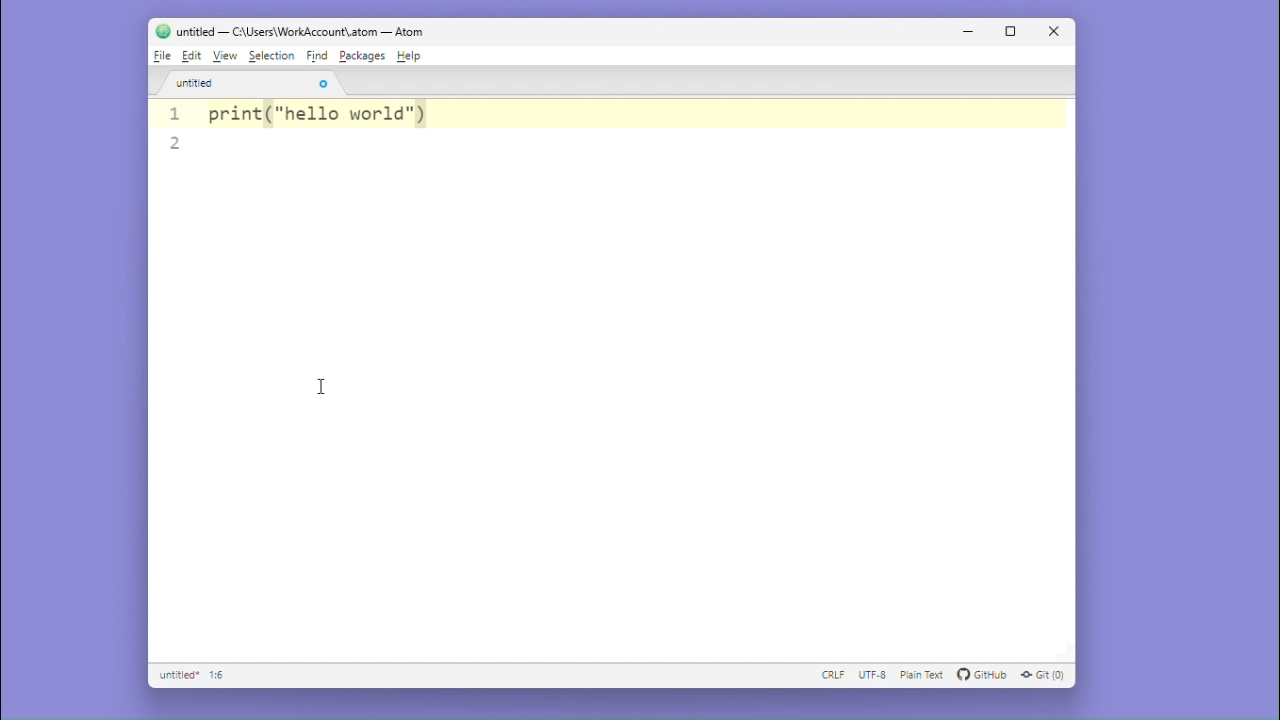  Describe the element at coordinates (296, 30) in the screenshot. I see `untitled — C:\Users\WorkAccount\.atom — Atom` at that location.